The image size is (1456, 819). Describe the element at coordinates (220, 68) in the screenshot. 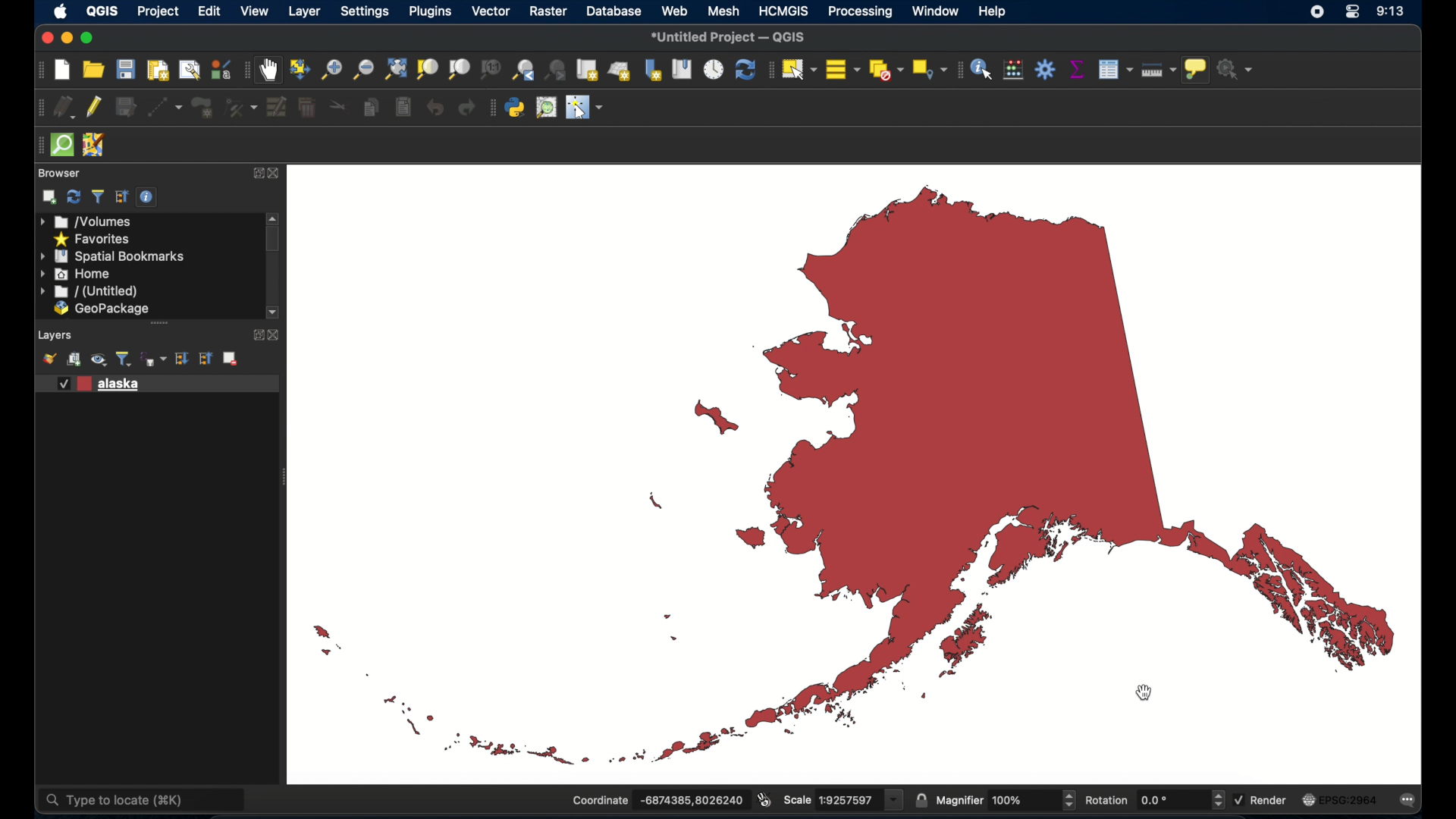

I see `style manager` at that location.